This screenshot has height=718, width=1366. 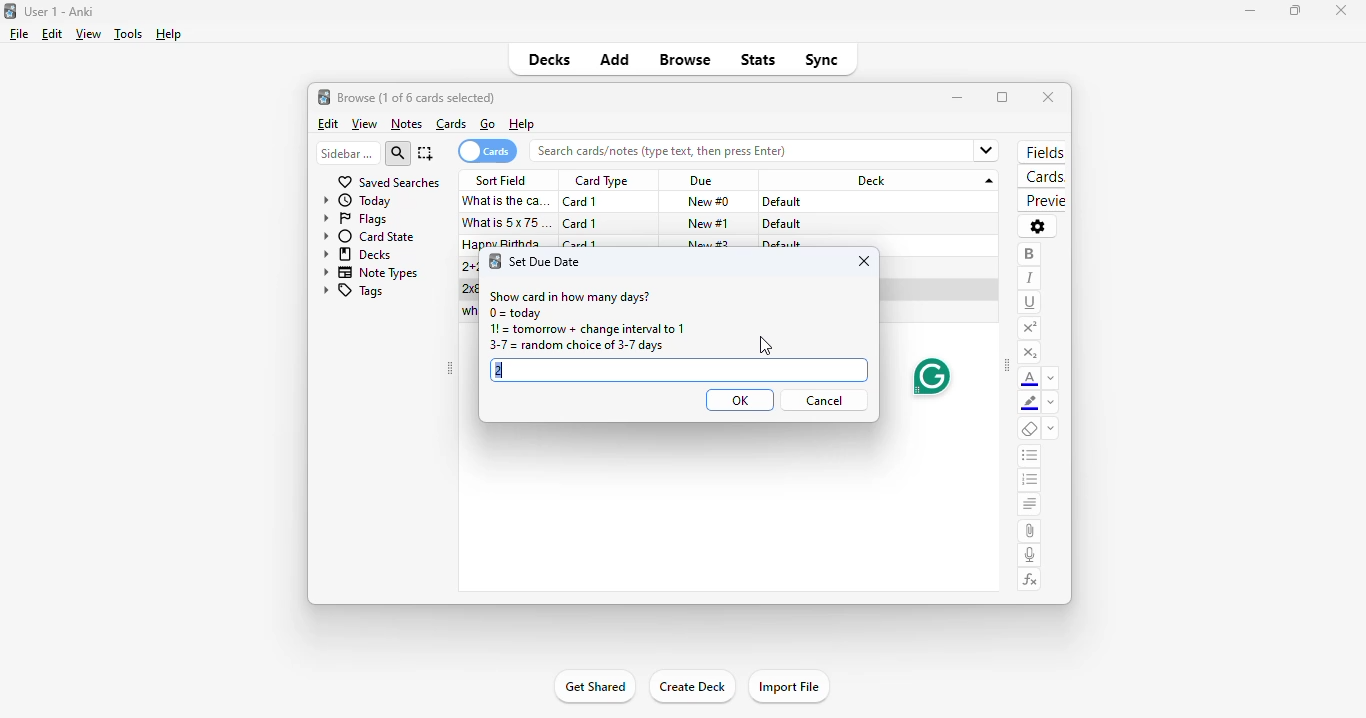 I want to click on help, so click(x=521, y=125).